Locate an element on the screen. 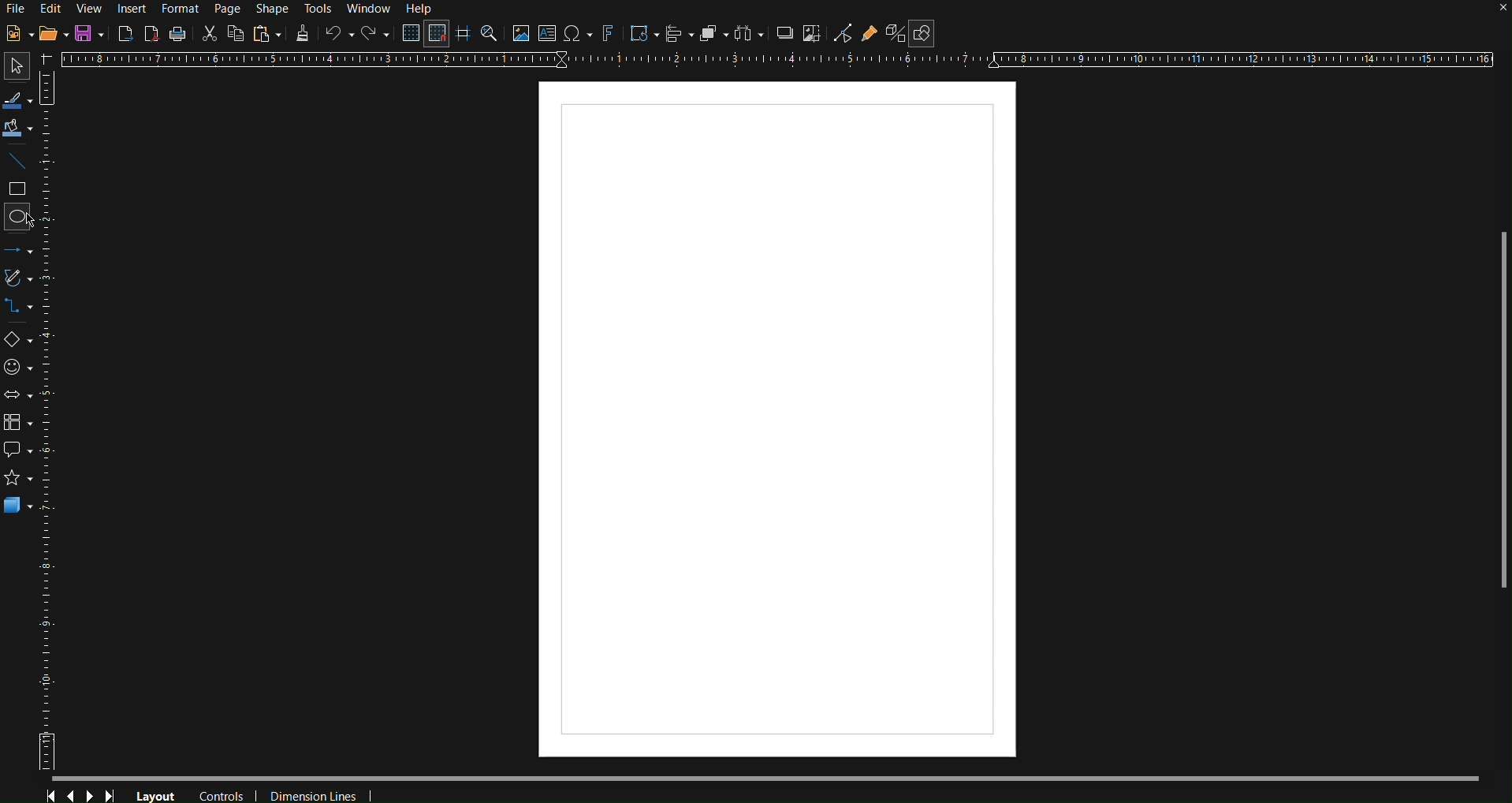 The image size is (1512, 803). 3D Objects is located at coordinates (24, 505).